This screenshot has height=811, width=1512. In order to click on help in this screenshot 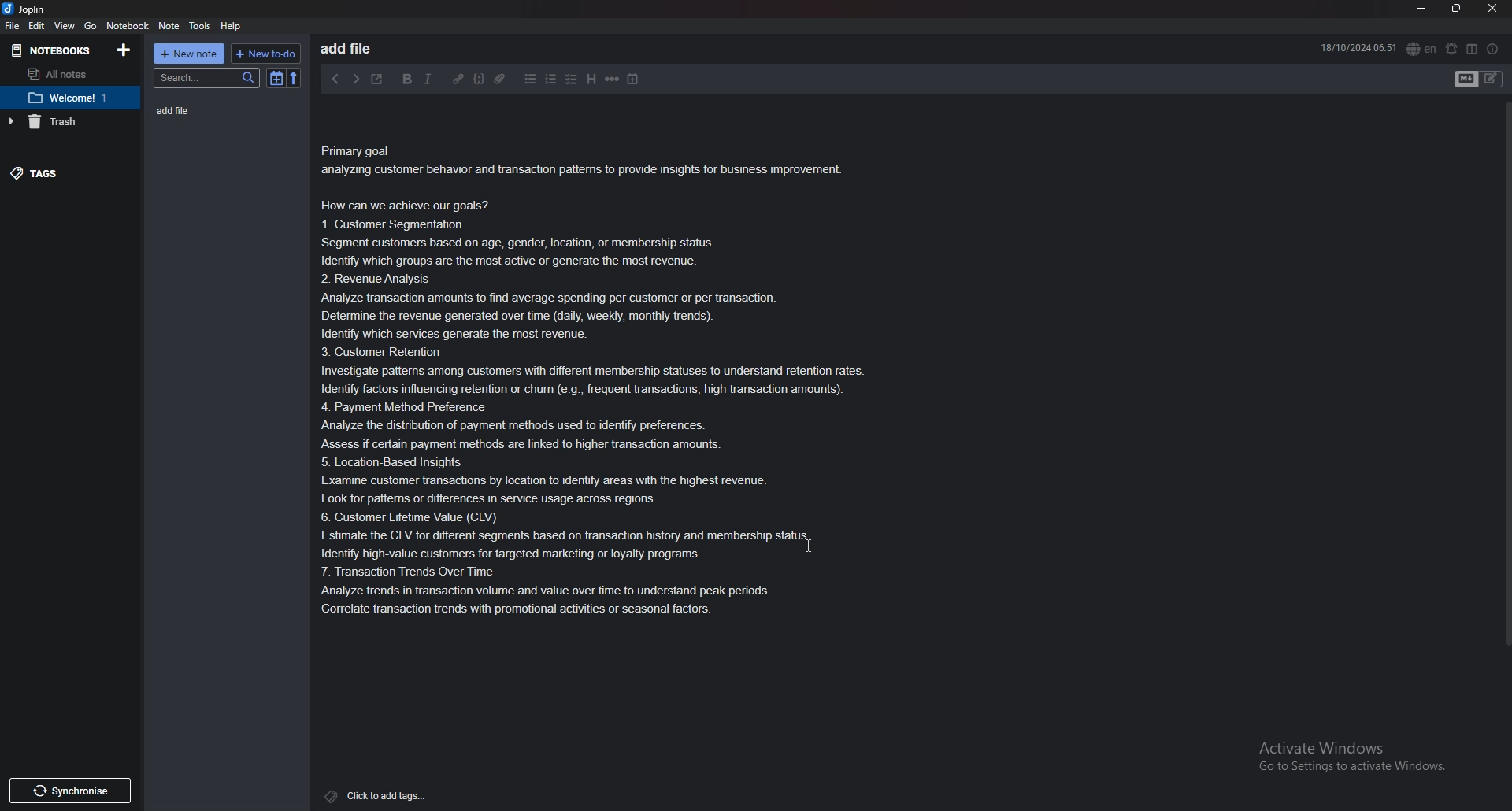, I will do `click(231, 27)`.